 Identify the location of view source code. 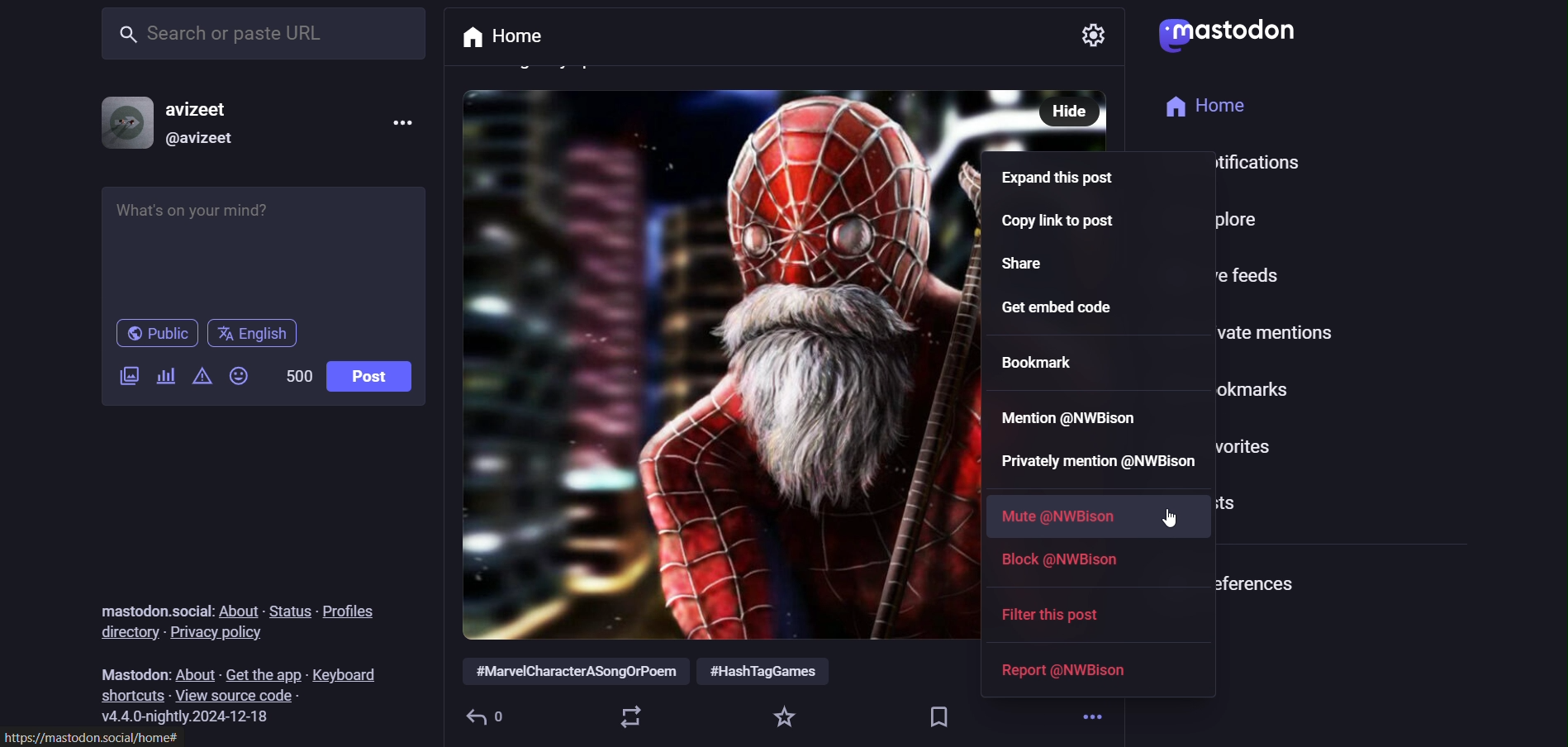
(241, 695).